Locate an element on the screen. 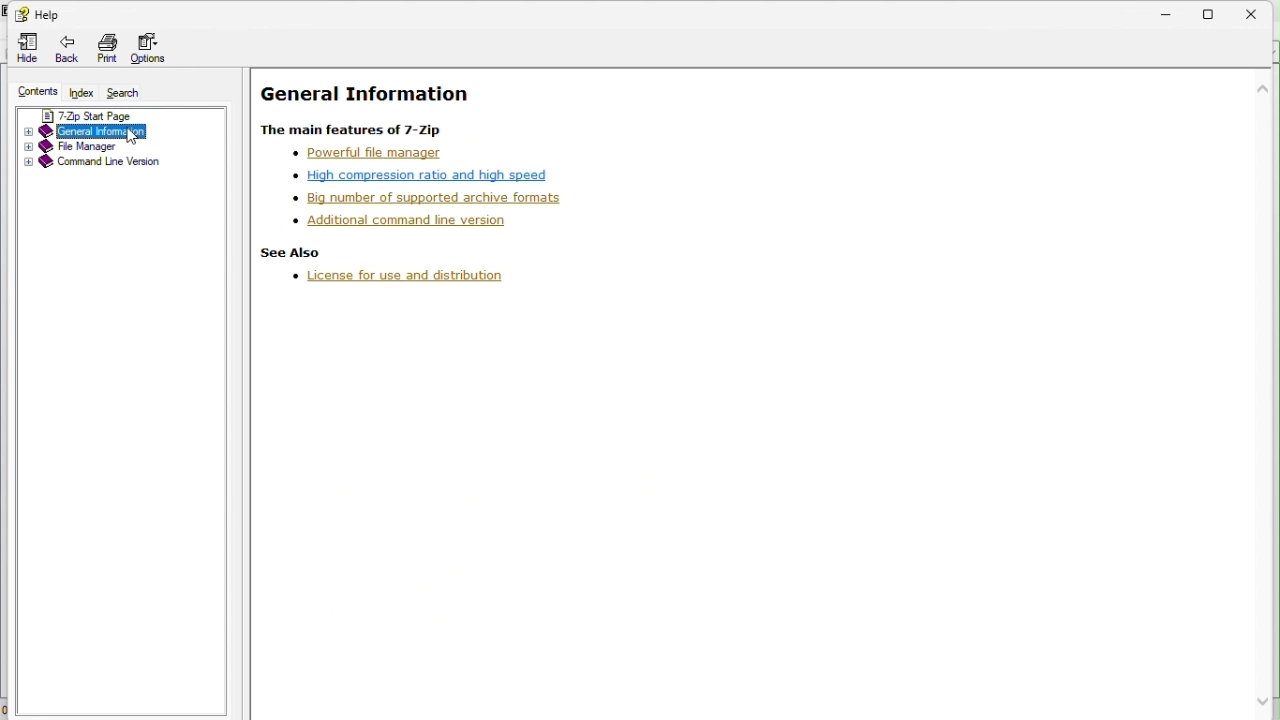 The height and width of the screenshot is (720, 1280). Licence and distribution is located at coordinates (393, 276).